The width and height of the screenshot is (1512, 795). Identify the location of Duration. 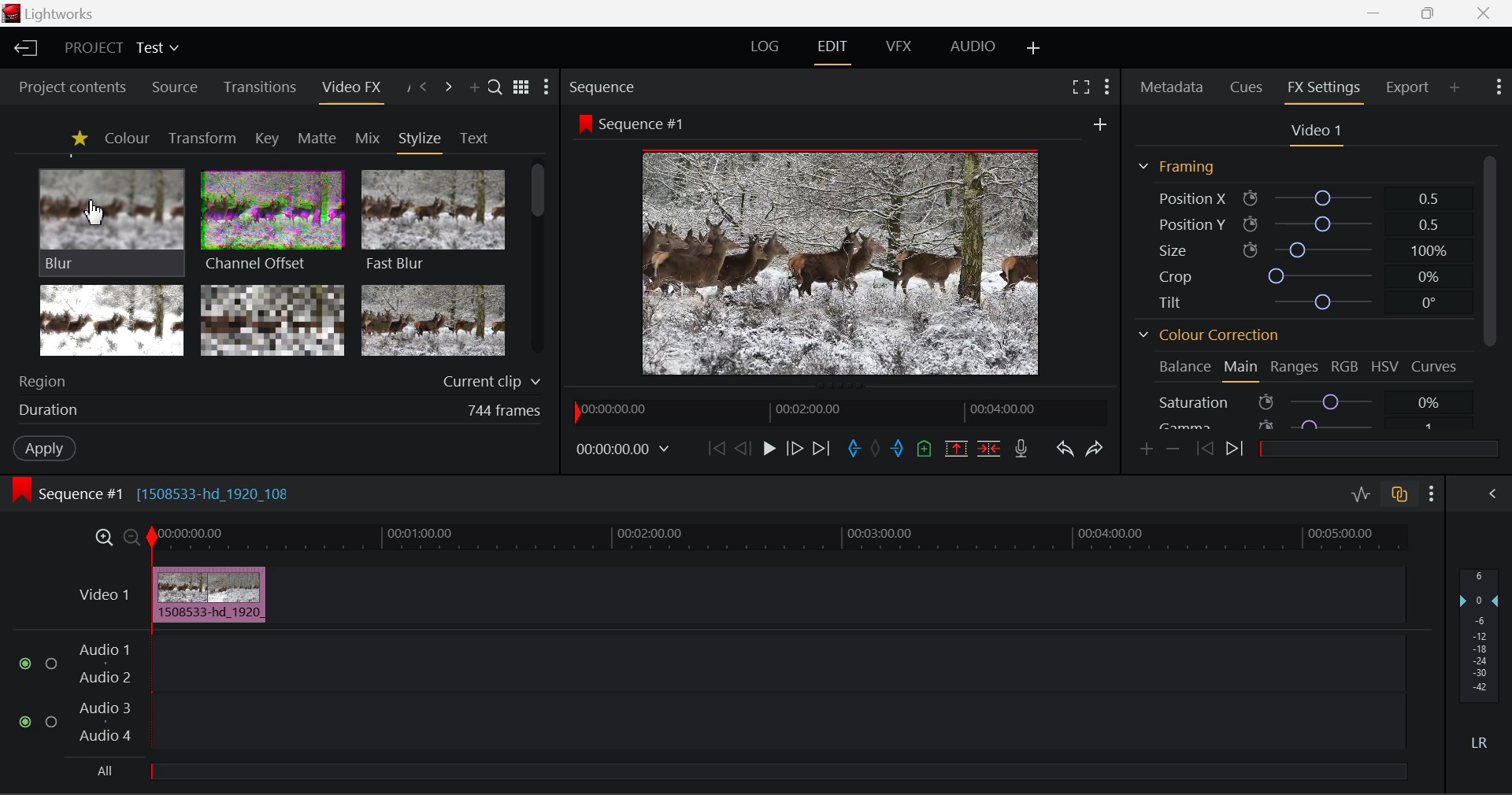
(276, 412).